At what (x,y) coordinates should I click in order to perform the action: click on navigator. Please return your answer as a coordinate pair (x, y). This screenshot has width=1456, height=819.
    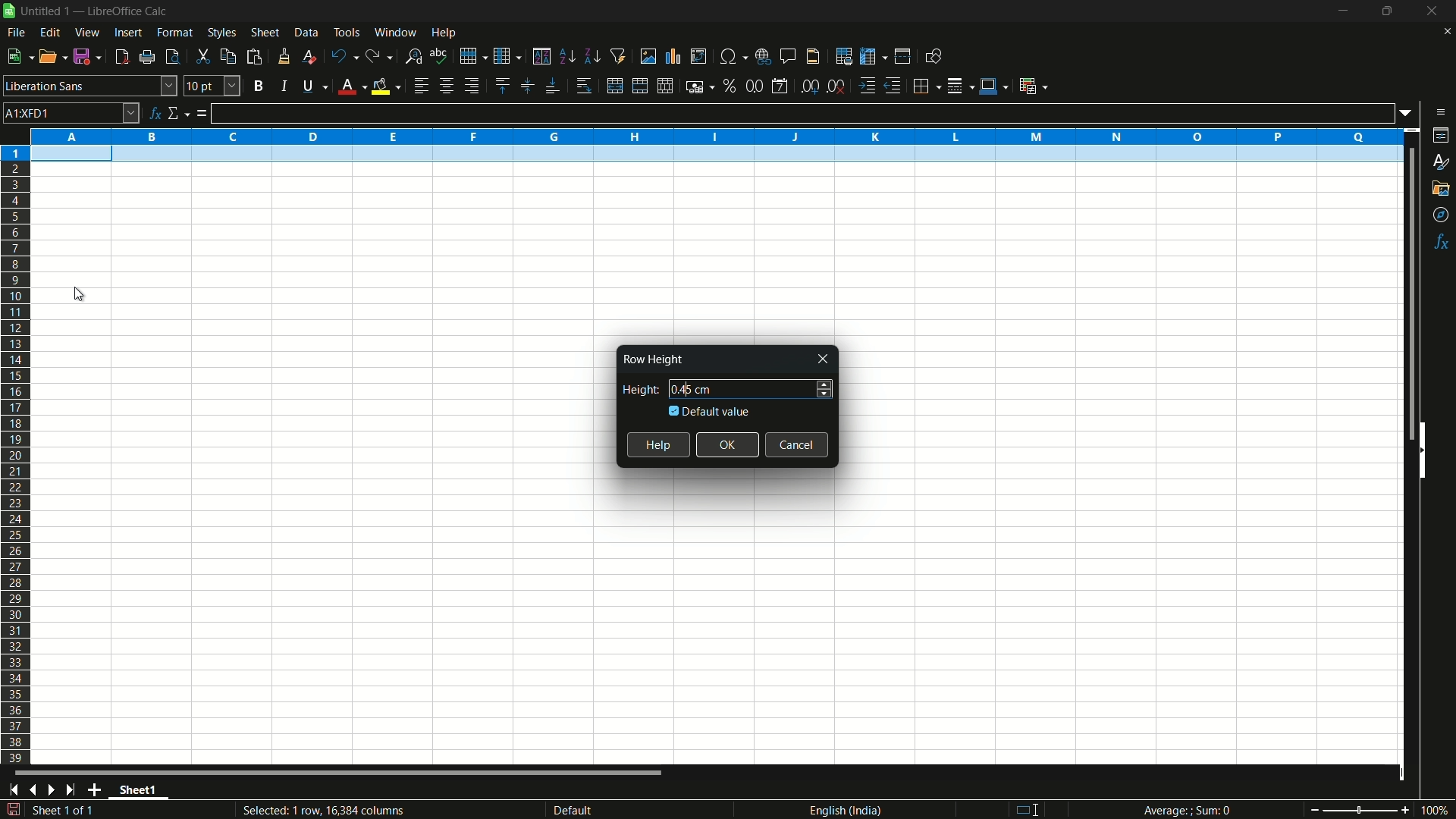
    Looking at the image, I should click on (1442, 215).